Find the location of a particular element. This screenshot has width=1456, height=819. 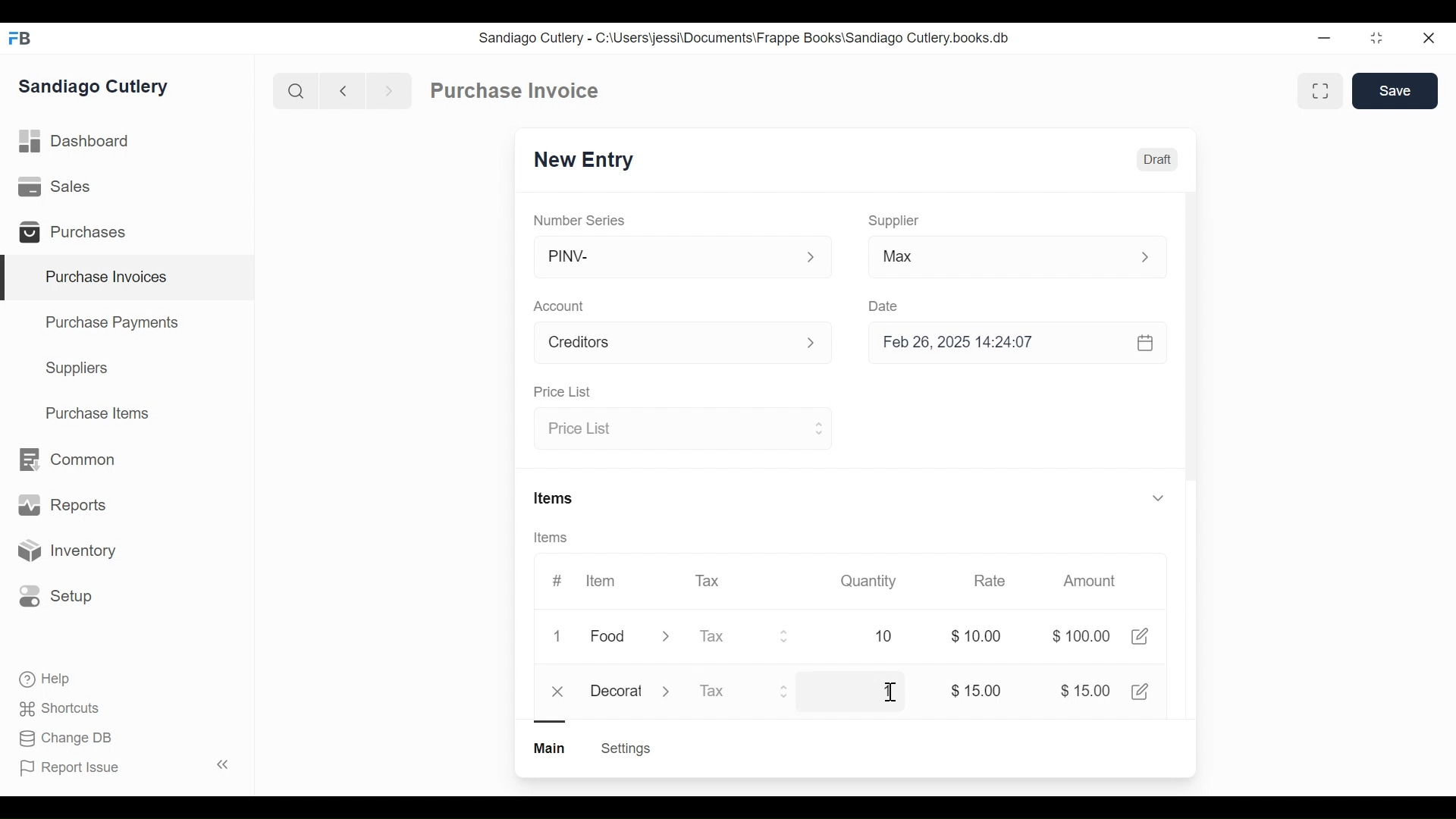

Vertical Scroll bar is located at coordinates (1191, 358).